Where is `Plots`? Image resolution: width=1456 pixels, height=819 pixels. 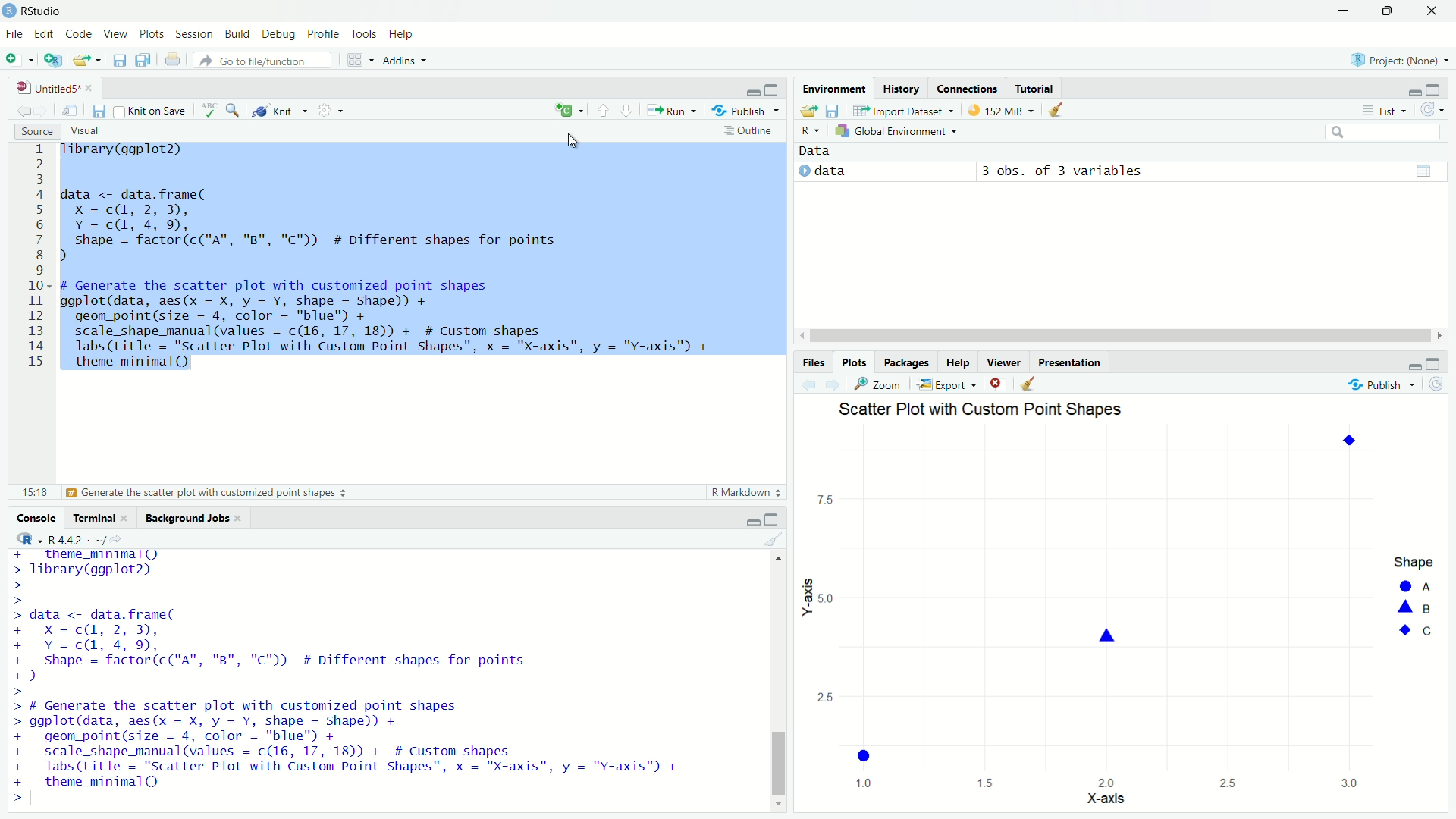 Plots is located at coordinates (152, 33).